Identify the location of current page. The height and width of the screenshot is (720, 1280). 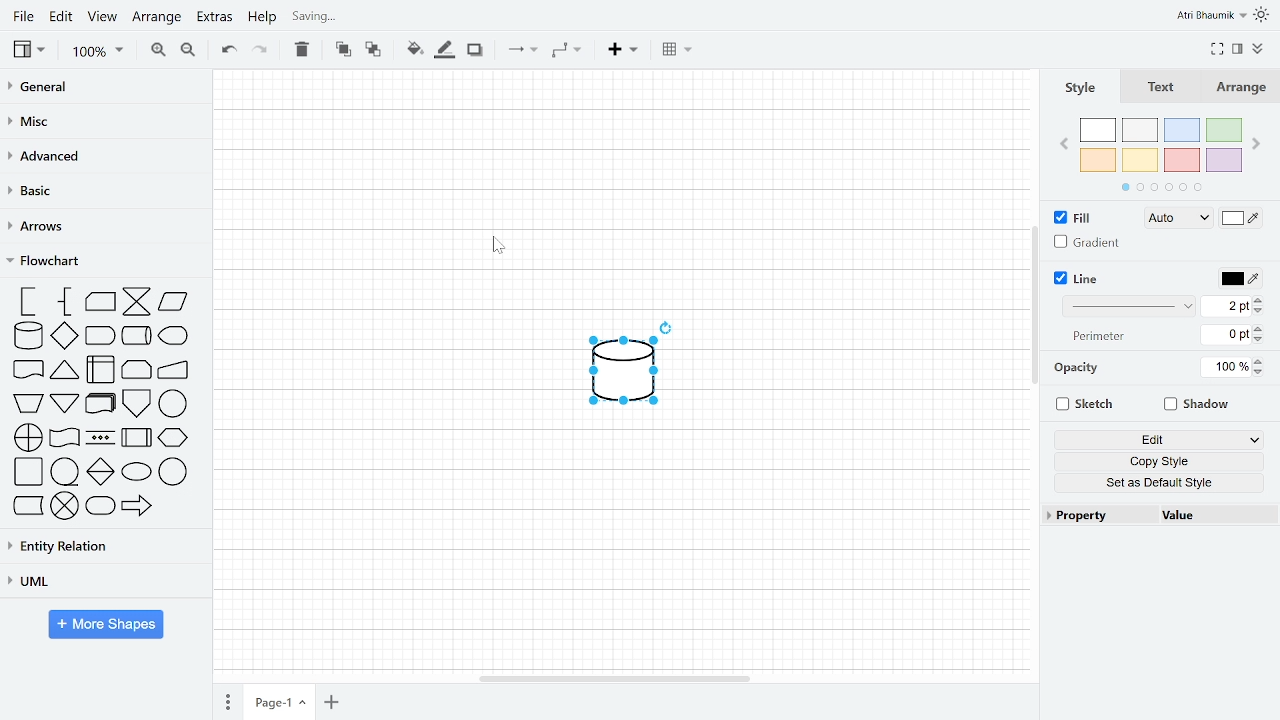
(282, 701).